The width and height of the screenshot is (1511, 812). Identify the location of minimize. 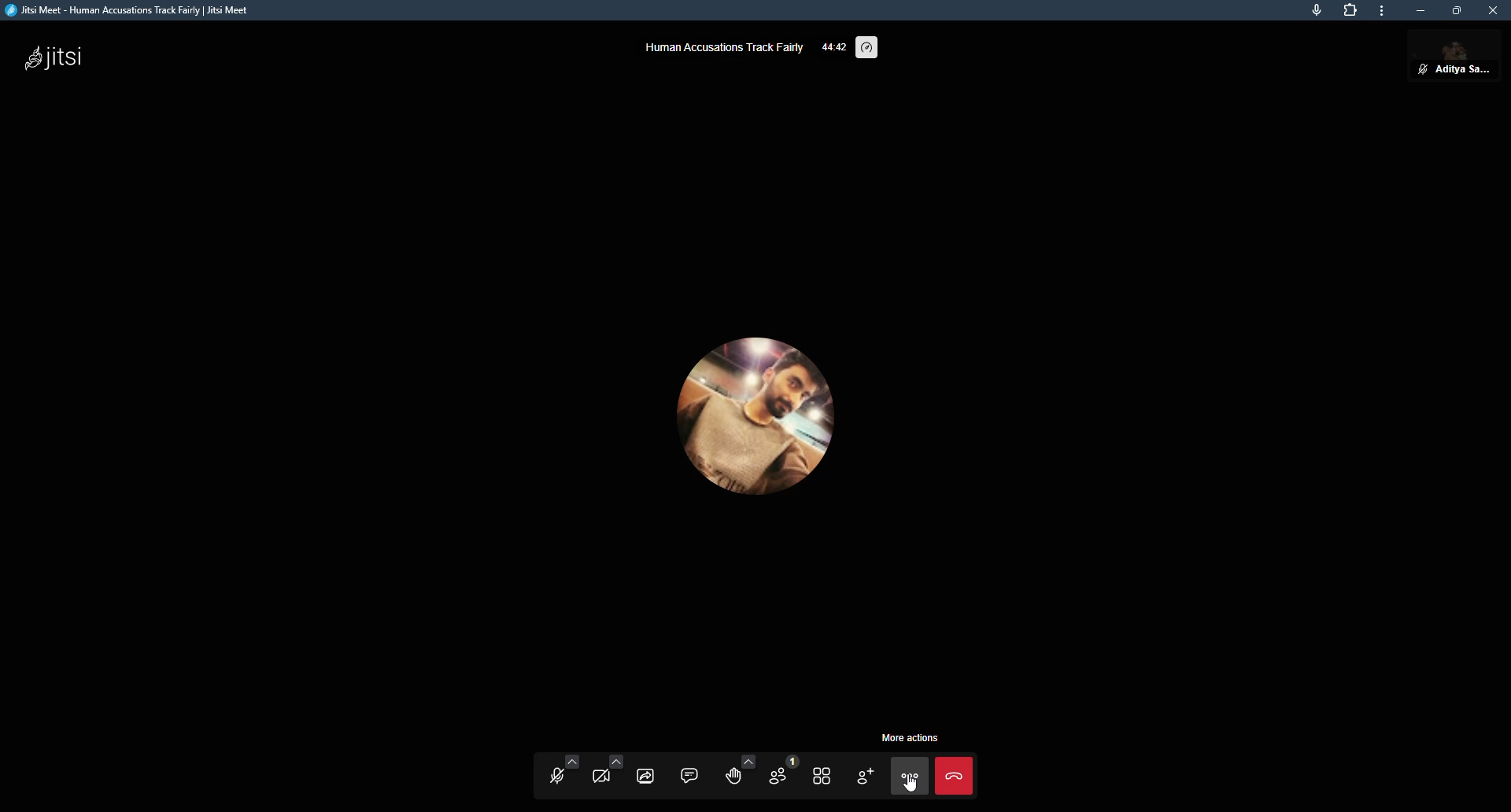
(1420, 10).